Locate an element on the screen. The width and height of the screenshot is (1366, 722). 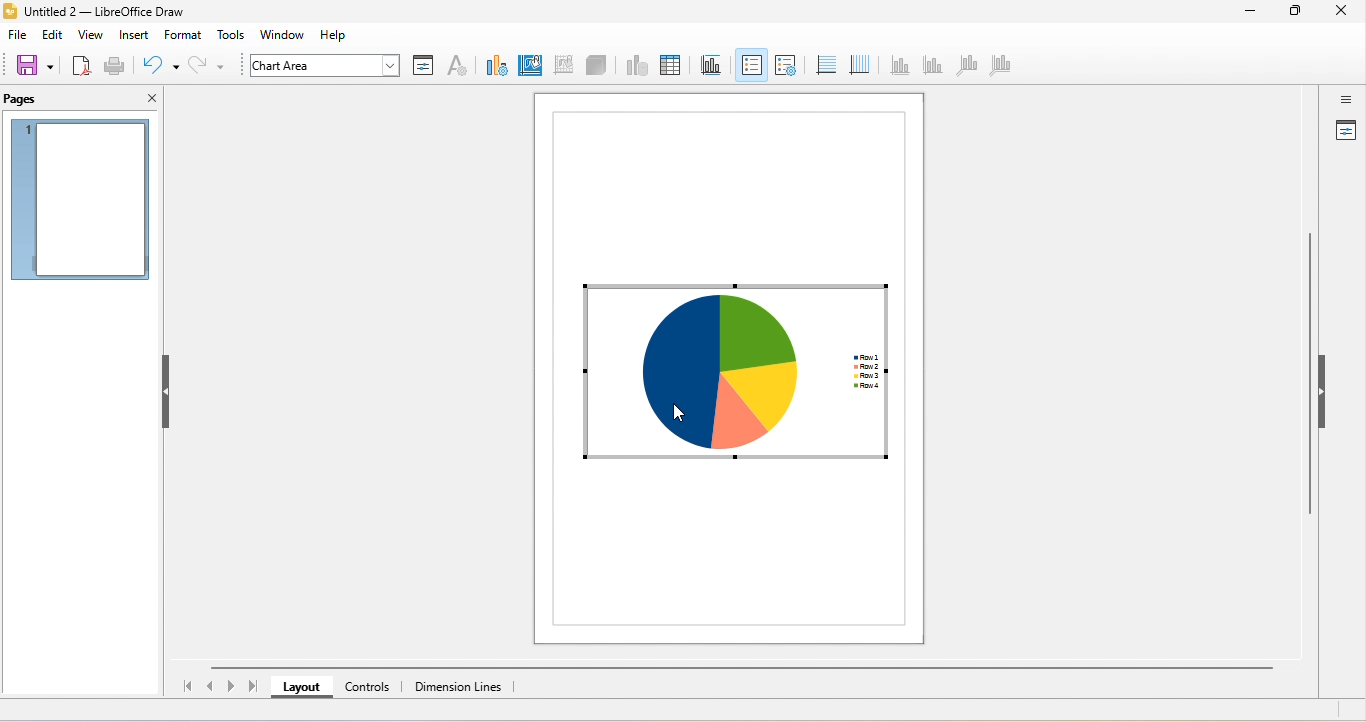
cursor movement is located at coordinates (683, 403).